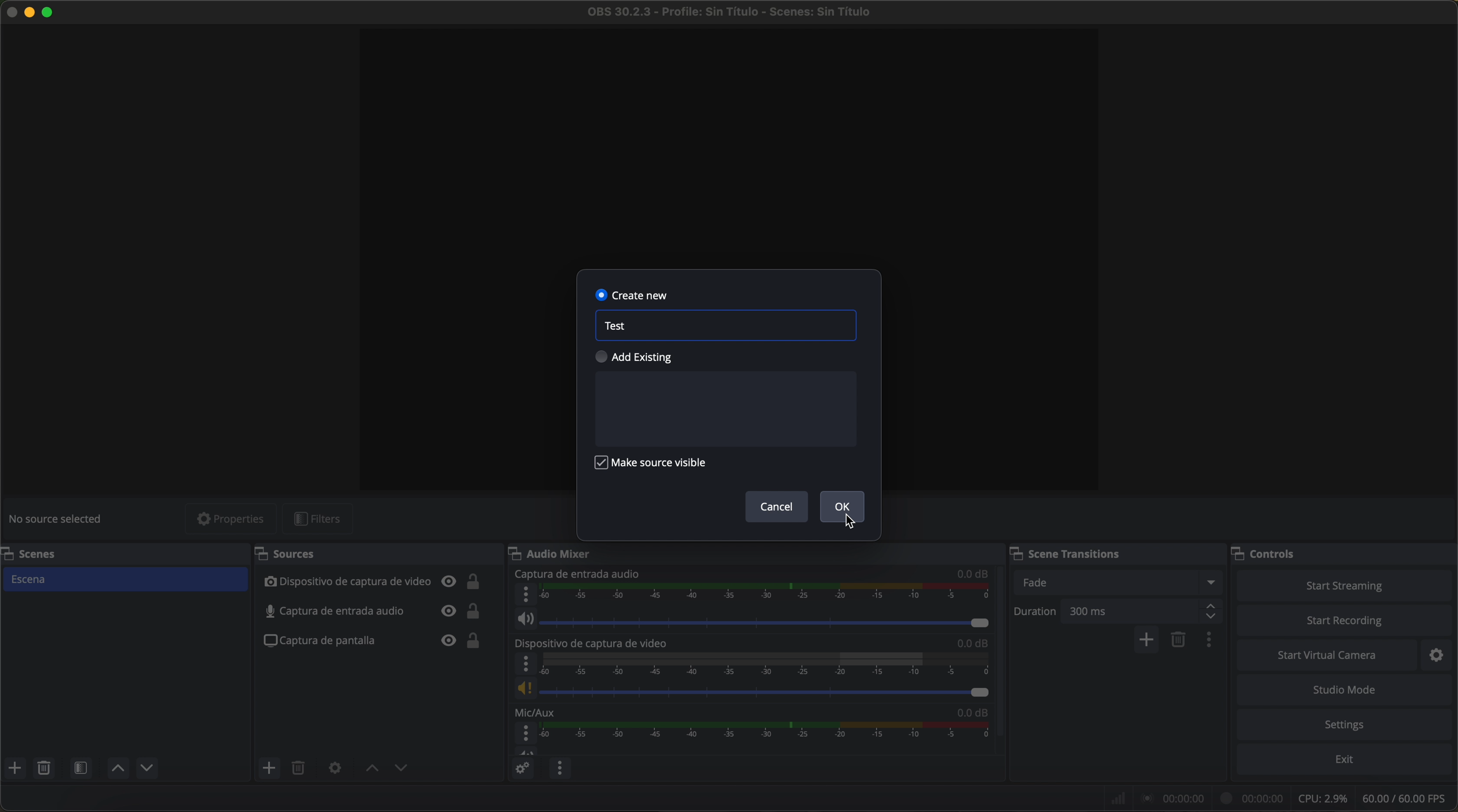 The height and width of the screenshot is (812, 1458). I want to click on exit, so click(1346, 761).